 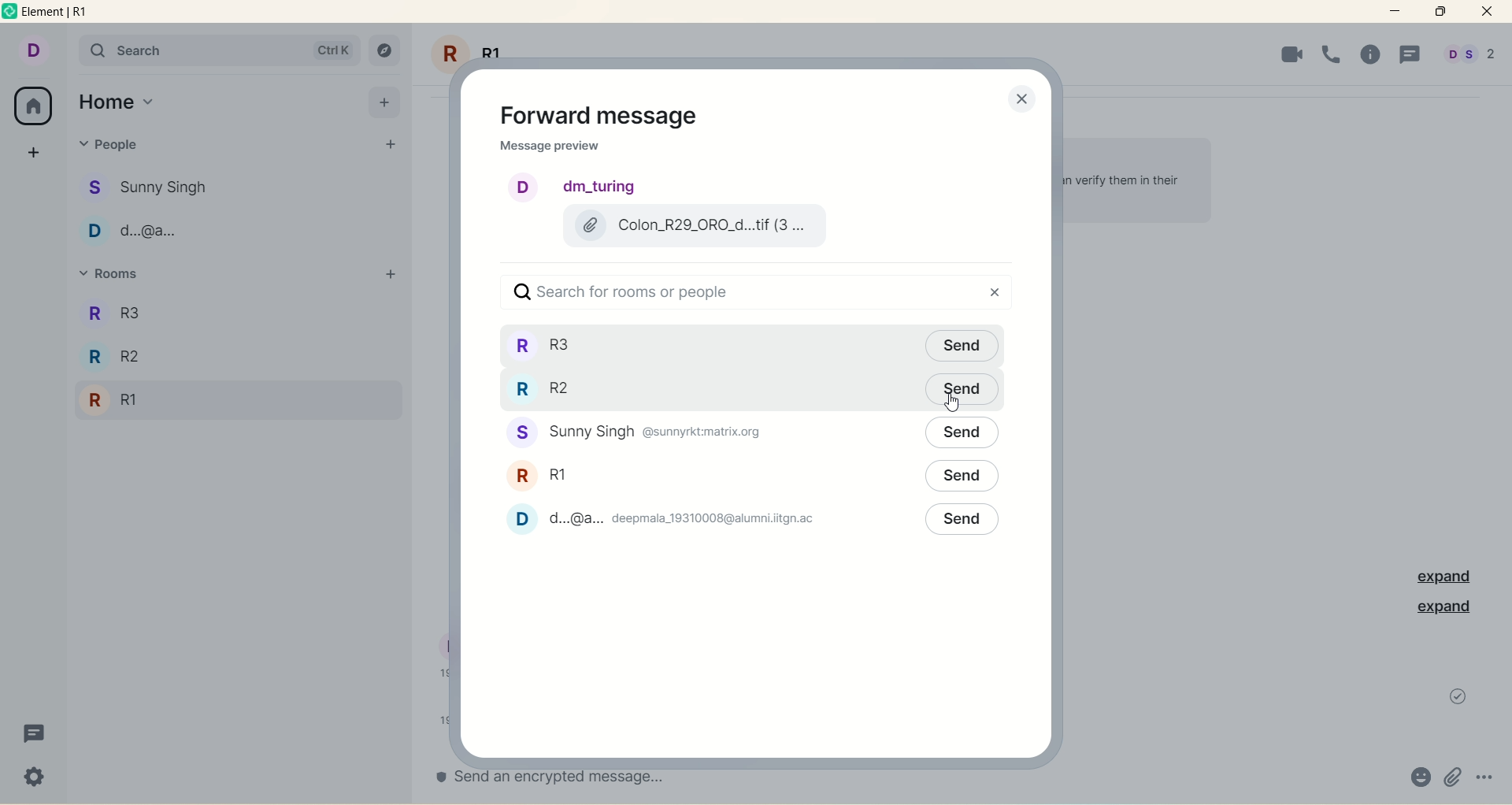 I want to click on video call, so click(x=1287, y=54).